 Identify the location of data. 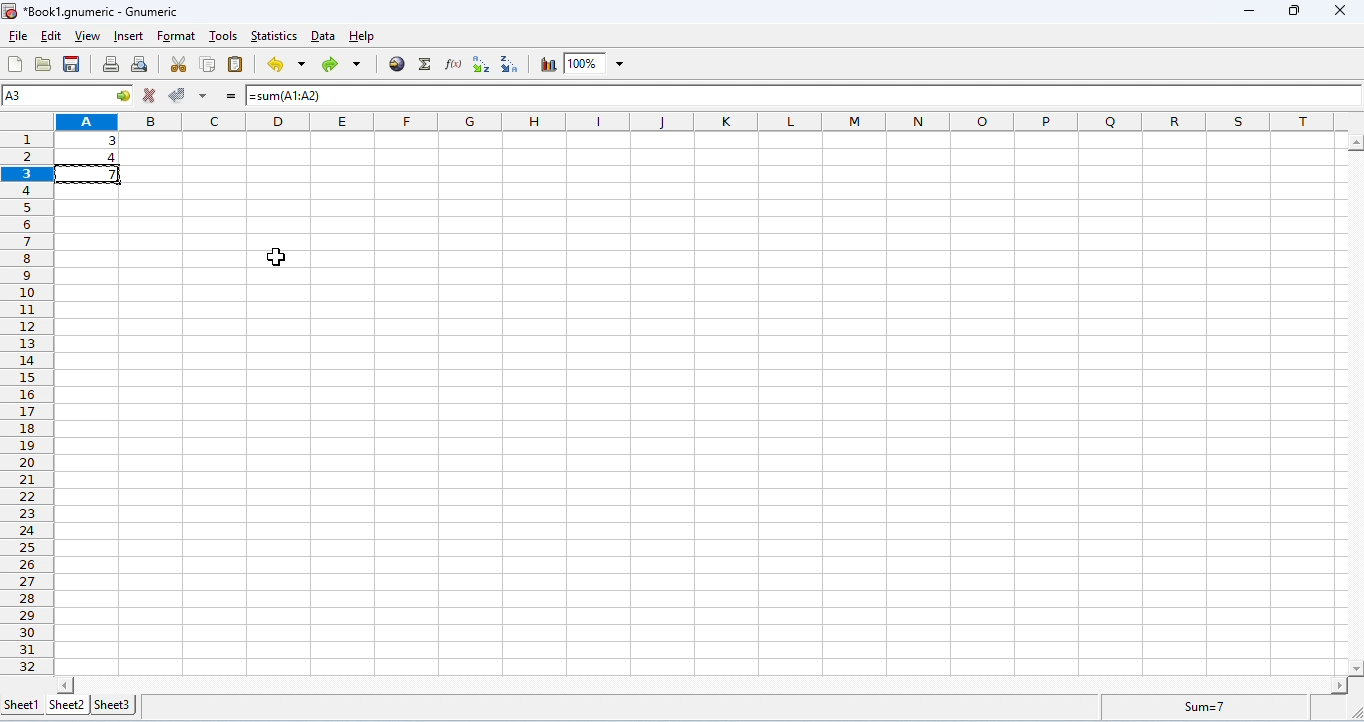
(323, 37).